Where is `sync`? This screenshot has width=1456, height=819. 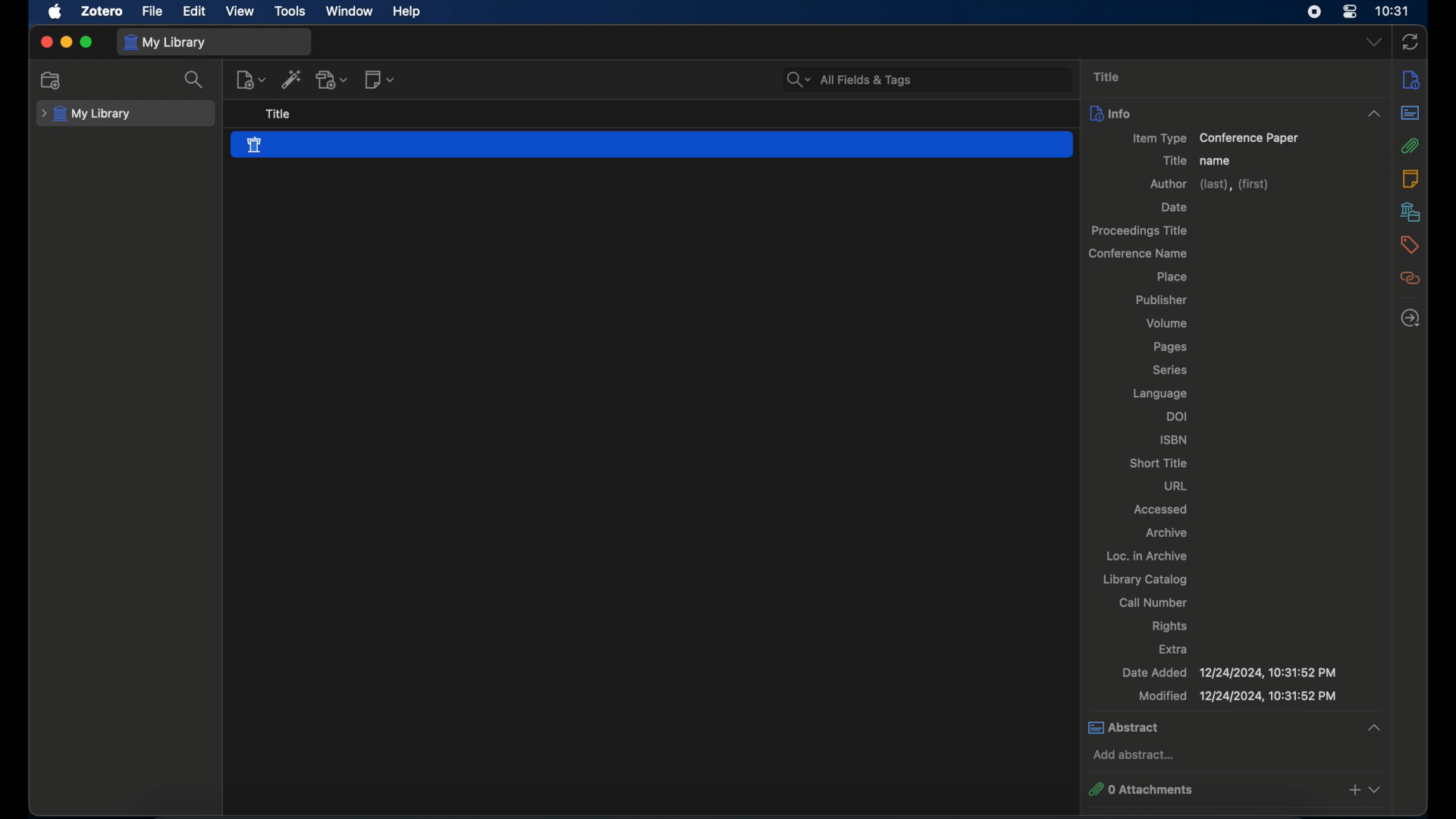
sync is located at coordinates (1410, 42).